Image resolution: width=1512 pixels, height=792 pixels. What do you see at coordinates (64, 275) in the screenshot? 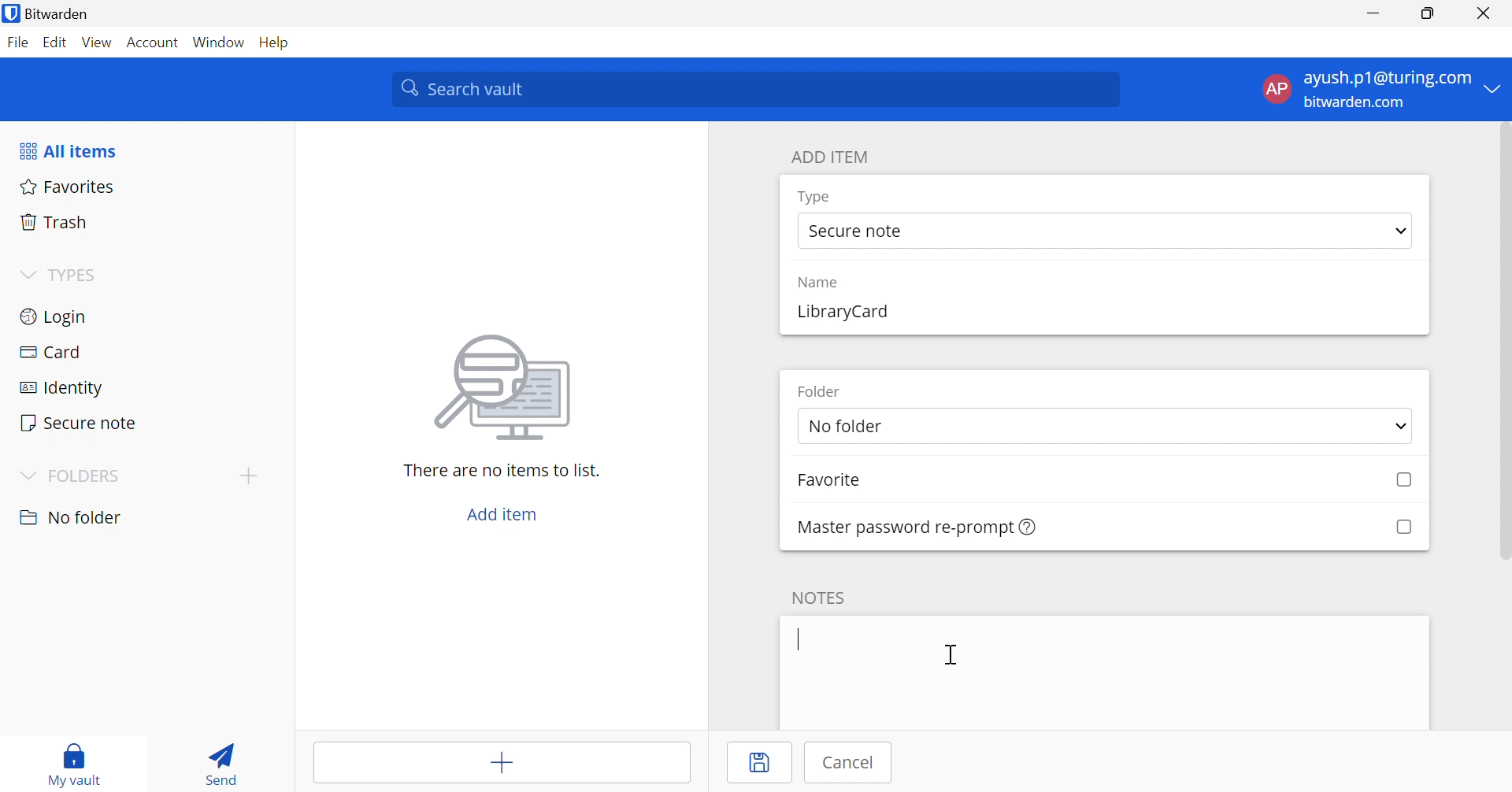
I see `TYPES` at bounding box center [64, 275].